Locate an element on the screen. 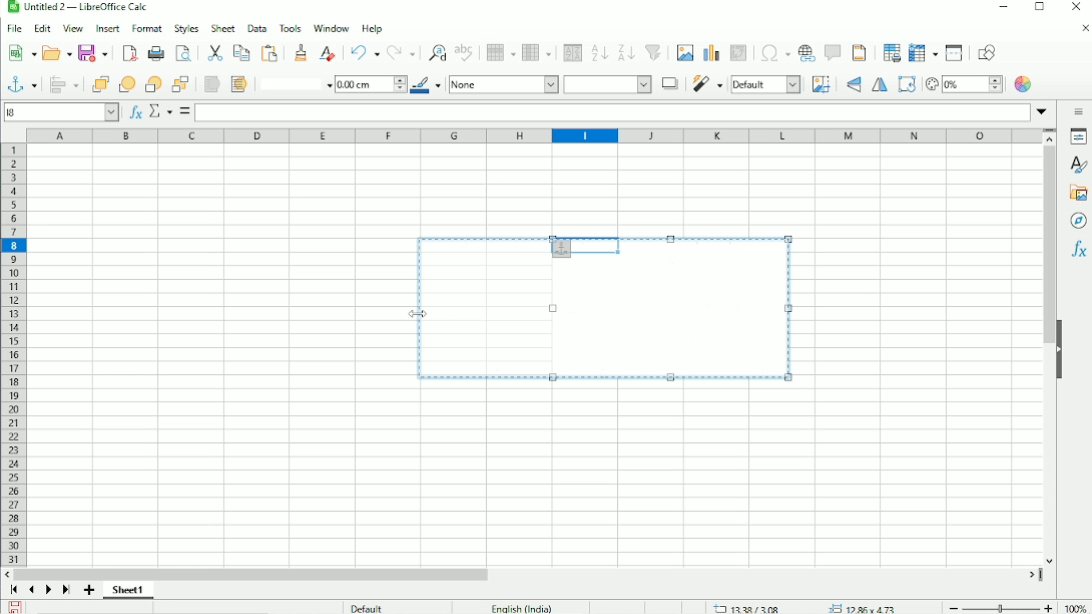 This screenshot has height=614, width=1092. Select anchor for objects is located at coordinates (20, 83).